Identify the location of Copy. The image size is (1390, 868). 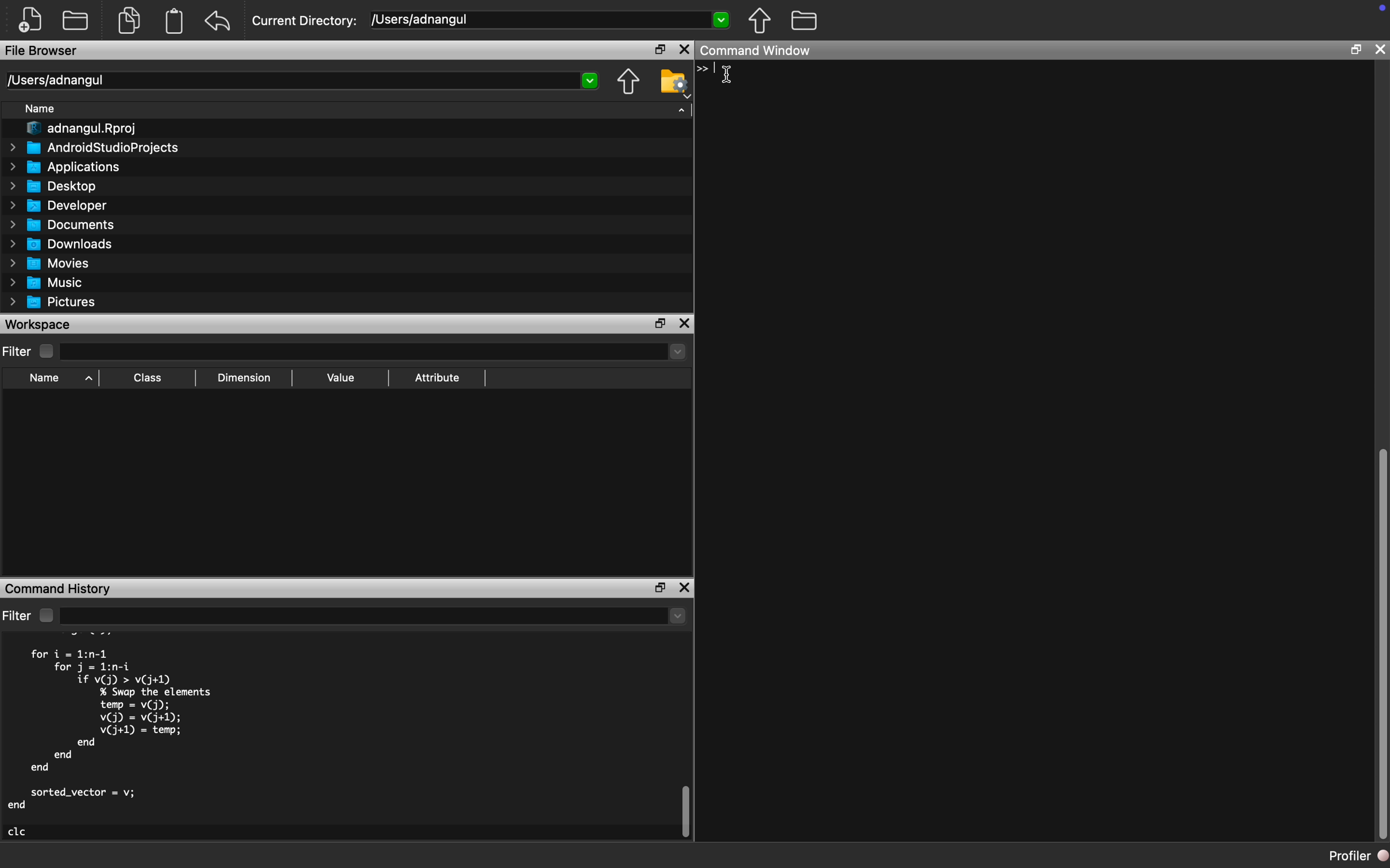
(129, 19).